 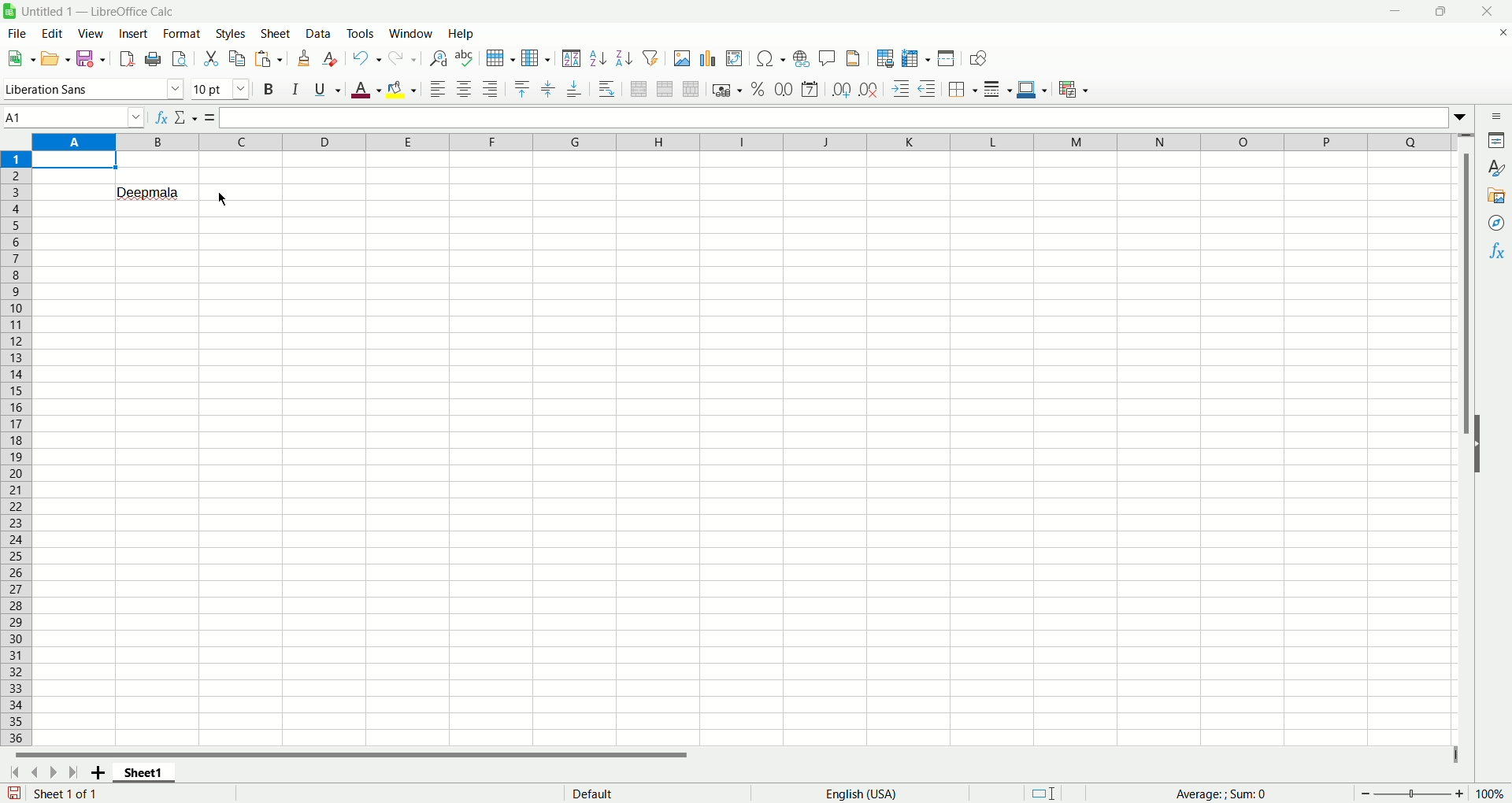 What do you see at coordinates (869, 89) in the screenshot?
I see `Delete decimal place` at bounding box center [869, 89].